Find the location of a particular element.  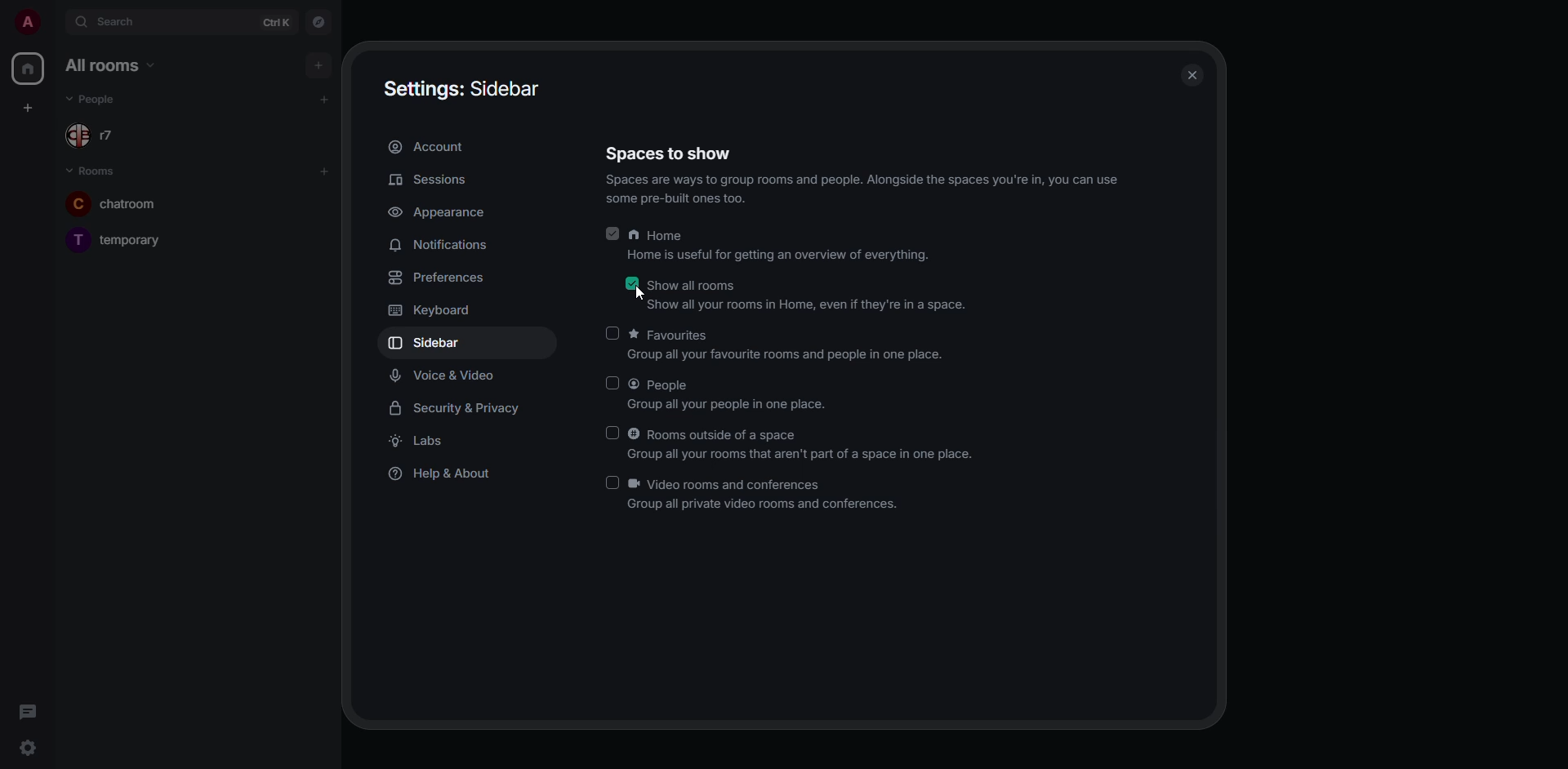

Show all rooms
Show all your rooms in Home, even if they're in a space. is located at coordinates (809, 296).